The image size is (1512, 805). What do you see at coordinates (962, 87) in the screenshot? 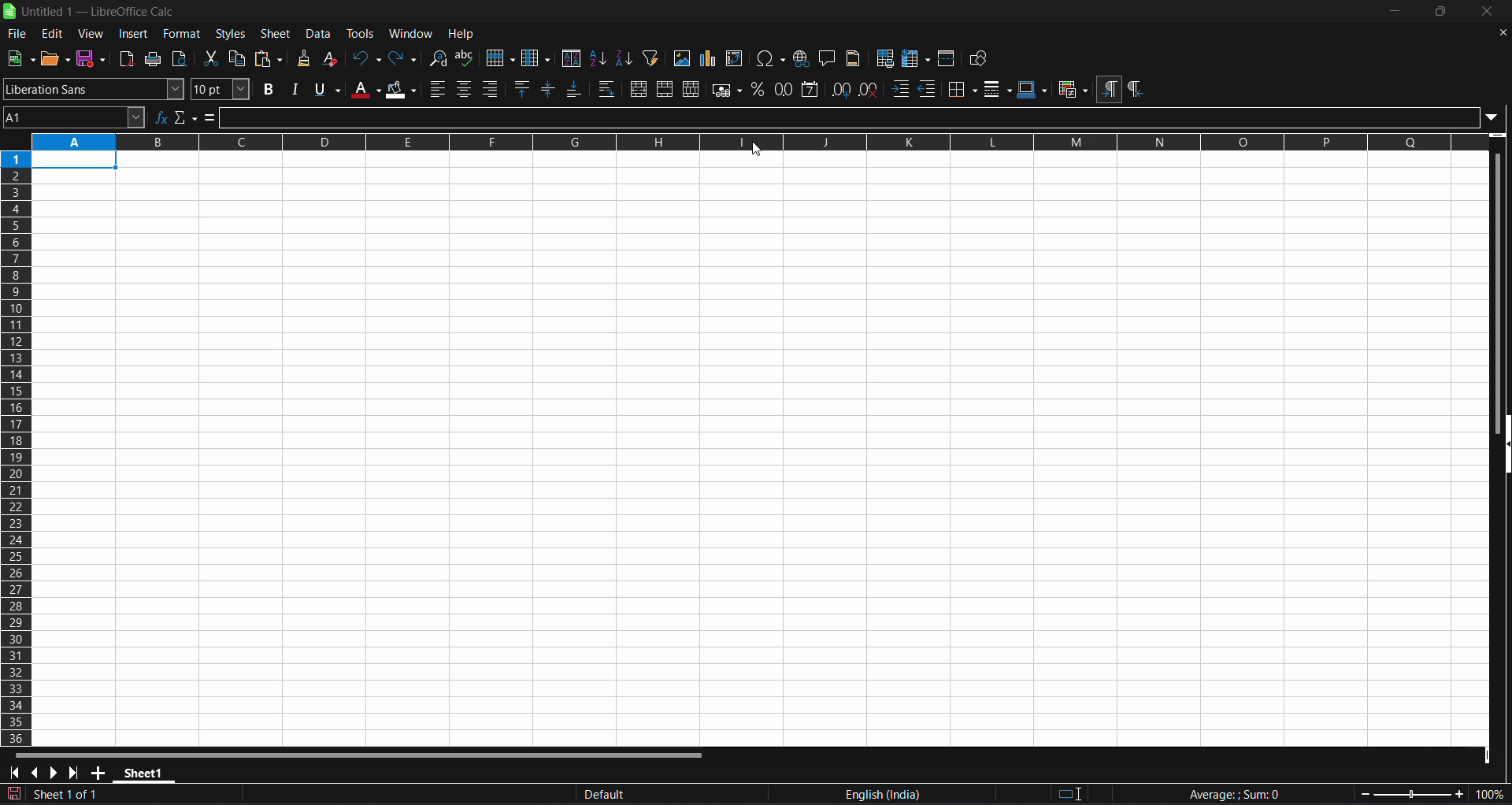
I see `borders` at bounding box center [962, 87].